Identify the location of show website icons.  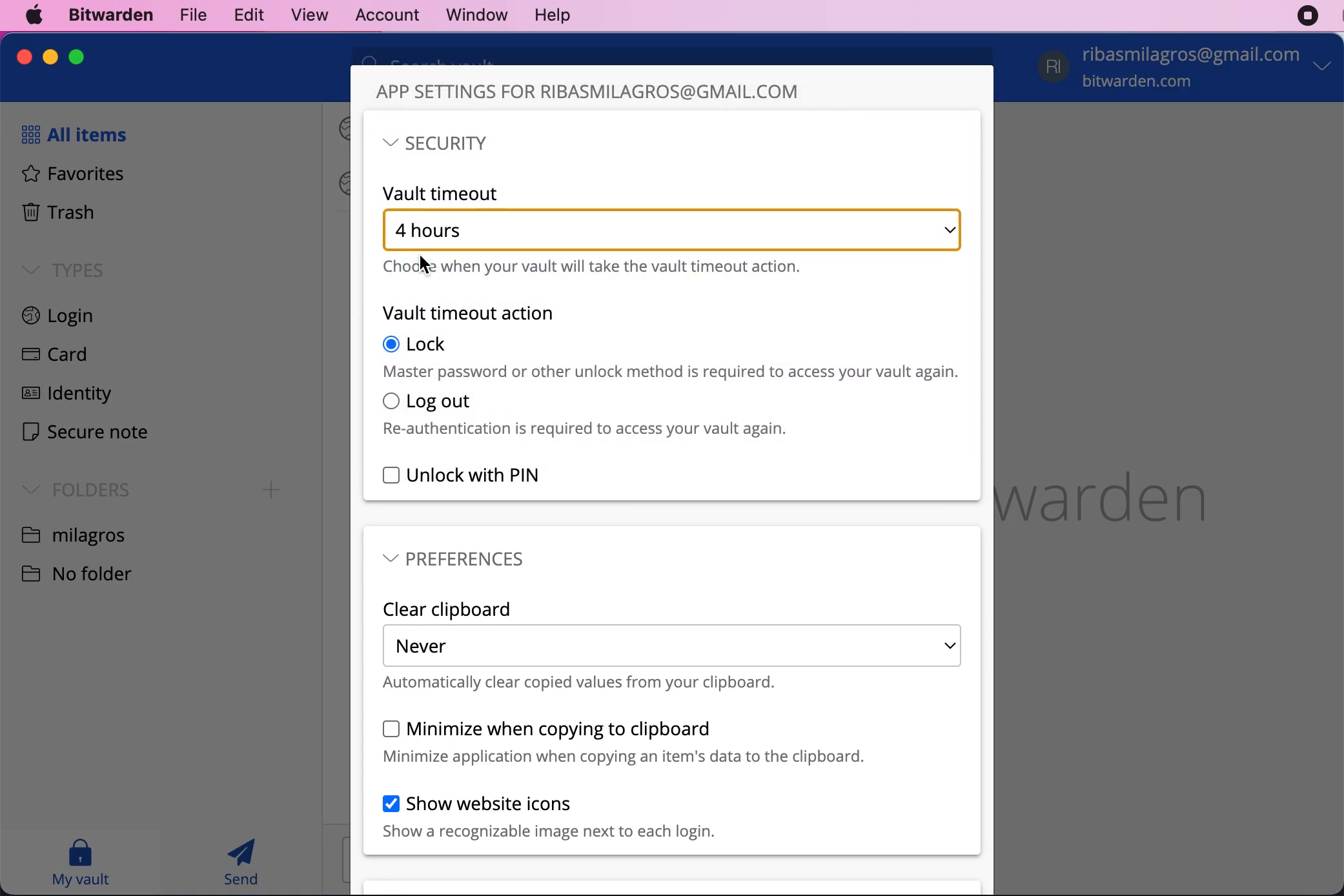
(549, 817).